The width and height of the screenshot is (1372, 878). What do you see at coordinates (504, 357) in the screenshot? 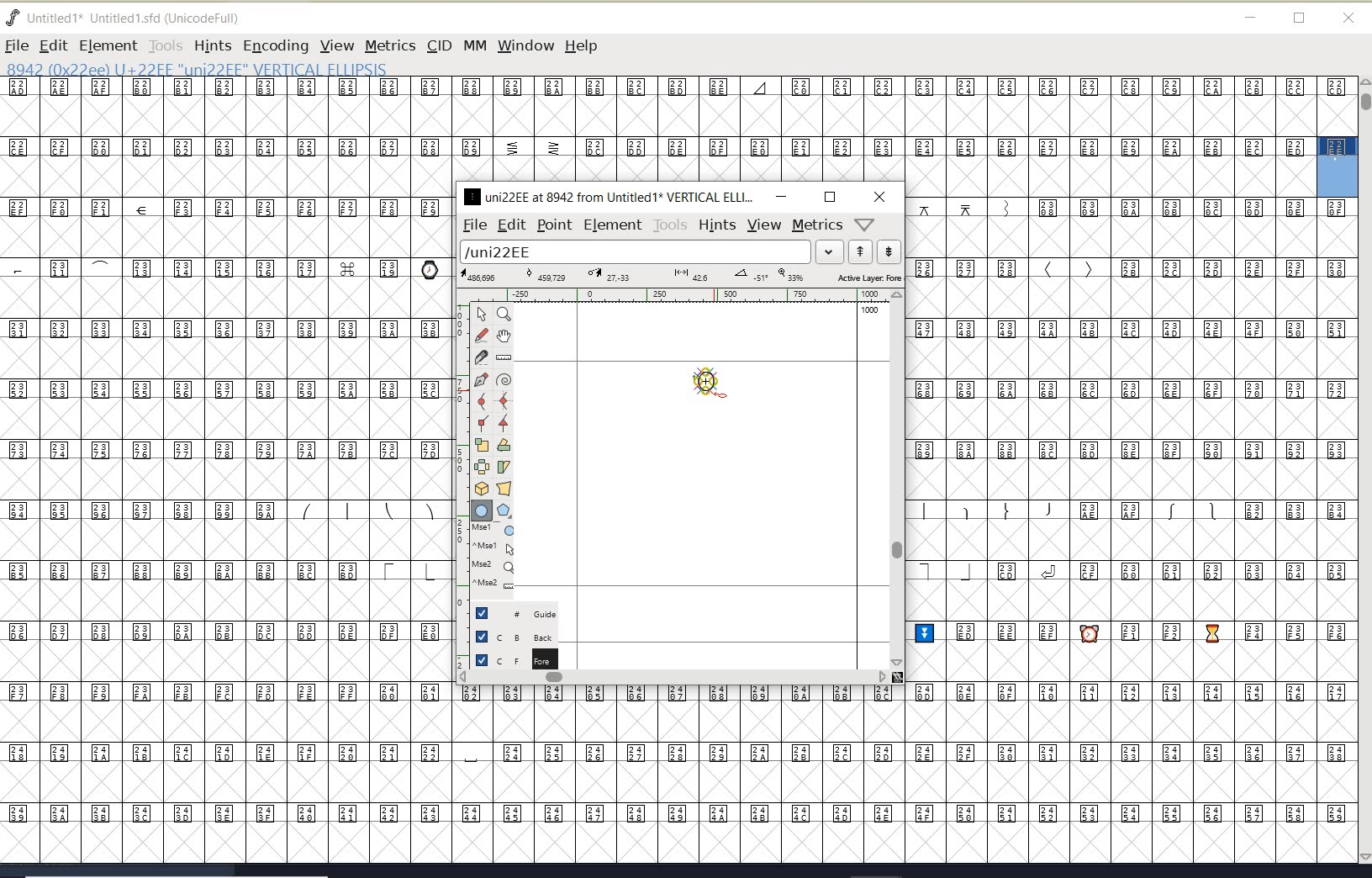
I see `measure distance, angle between points` at bounding box center [504, 357].